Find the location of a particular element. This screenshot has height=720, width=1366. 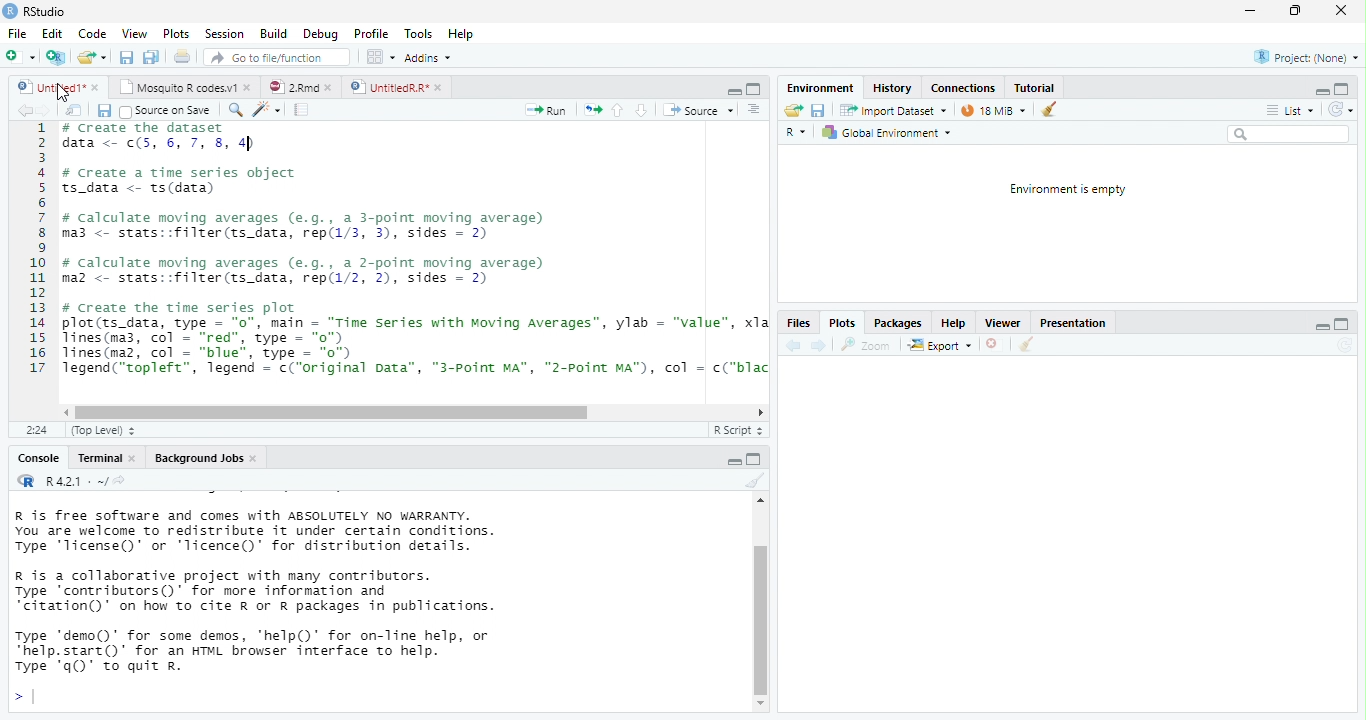

minimize is located at coordinates (754, 458).